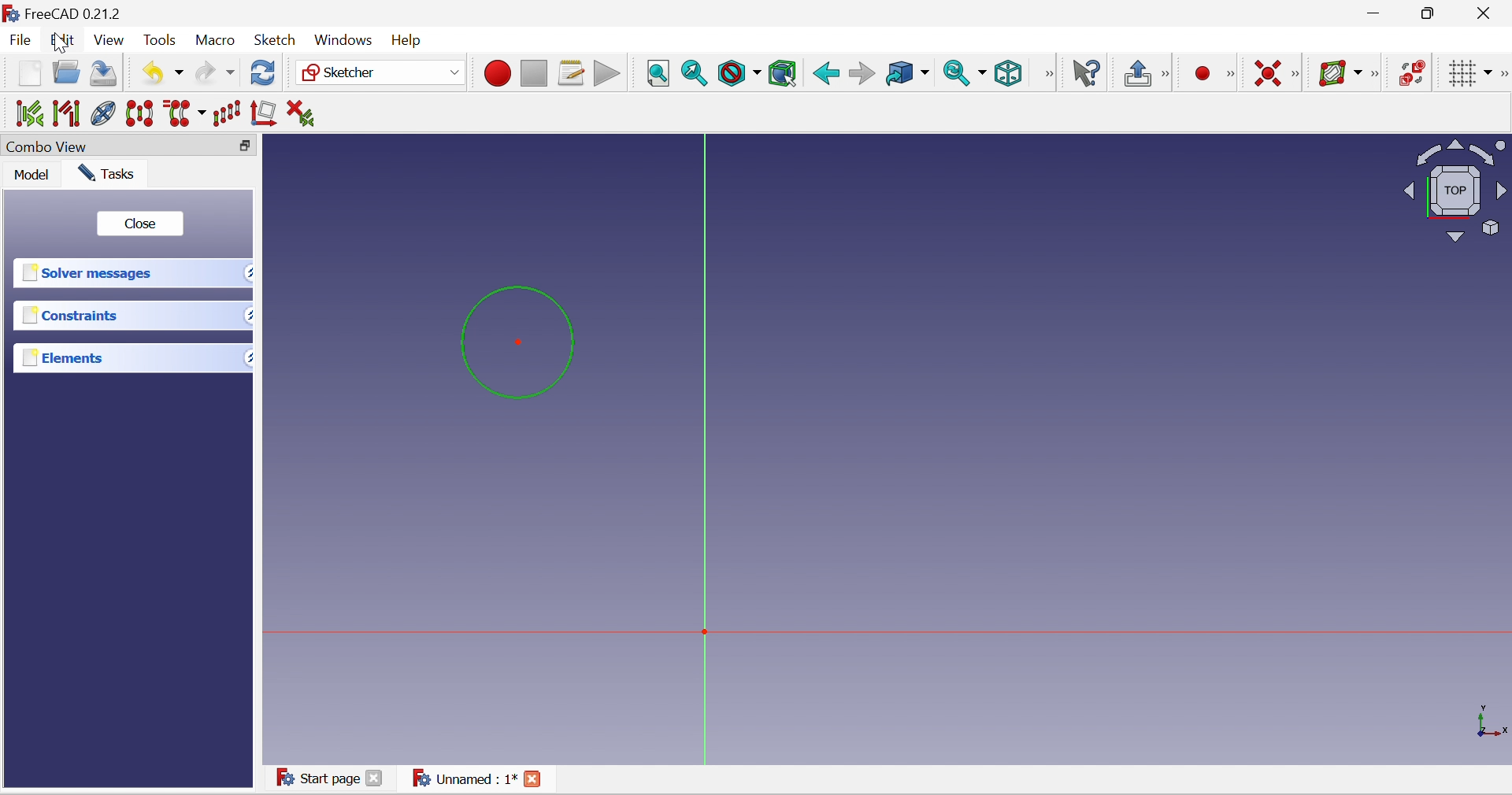 This screenshot has width=1512, height=795. What do you see at coordinates (140, 113) in the screenshot?
I see `Symmetry` at bounding box center [140, 113].